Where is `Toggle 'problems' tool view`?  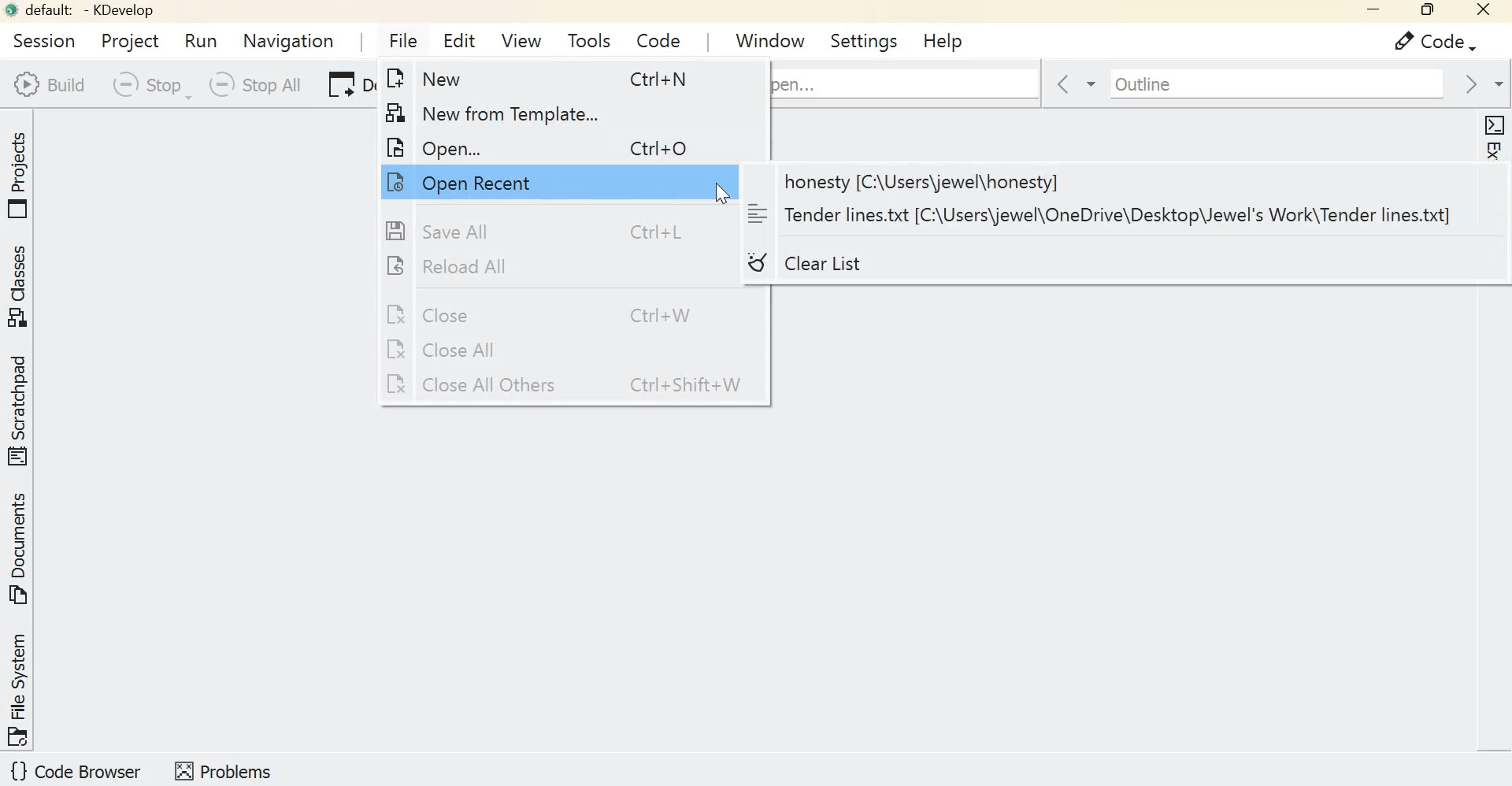 Toggle 'problems' tool view is located at coordinates (223, 769).